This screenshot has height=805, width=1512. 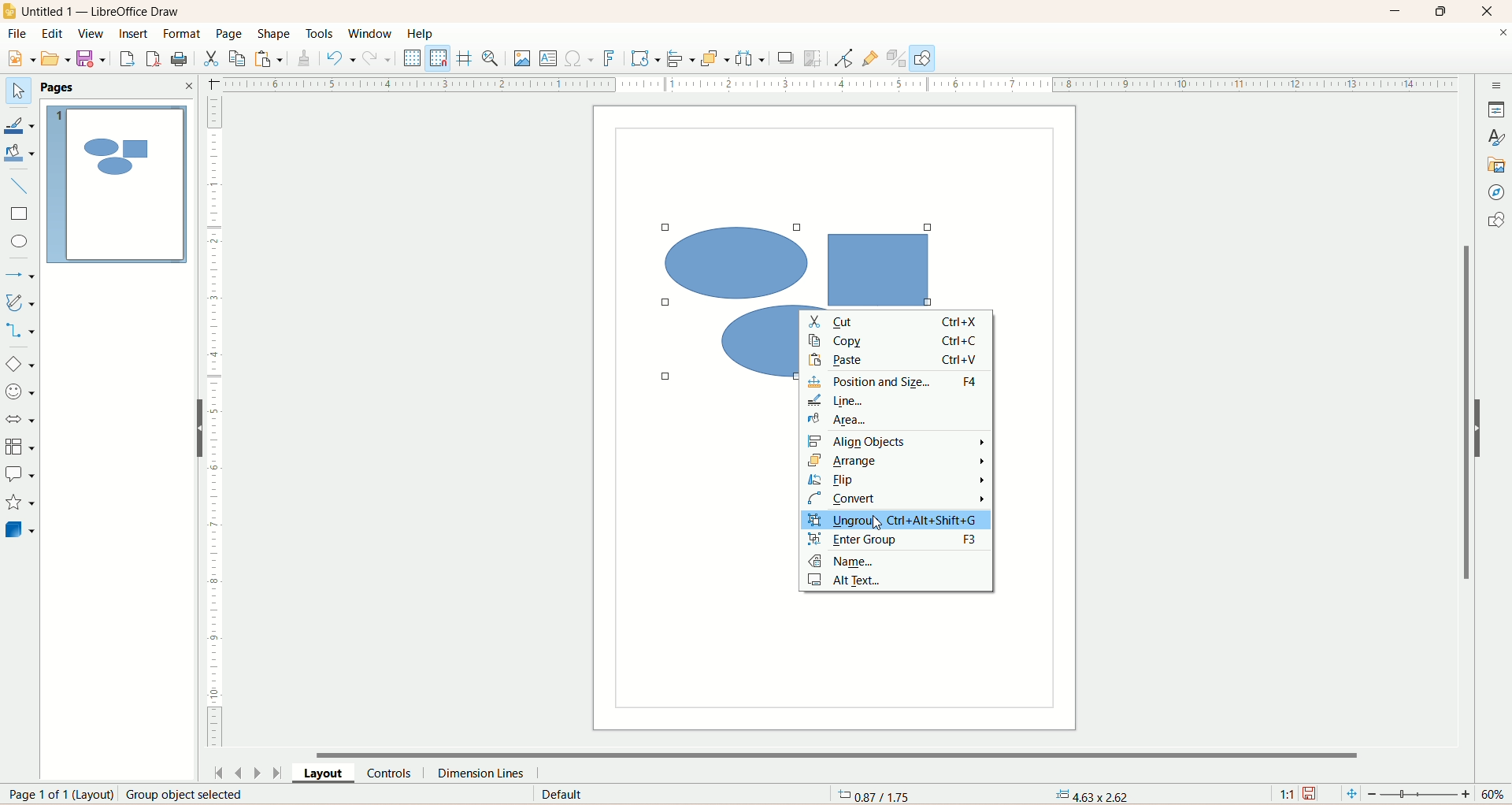 What do you see at coordinates (1495, 86) in the screenshot?
I see `sidebar settings` at bounding box center [1495, 86].